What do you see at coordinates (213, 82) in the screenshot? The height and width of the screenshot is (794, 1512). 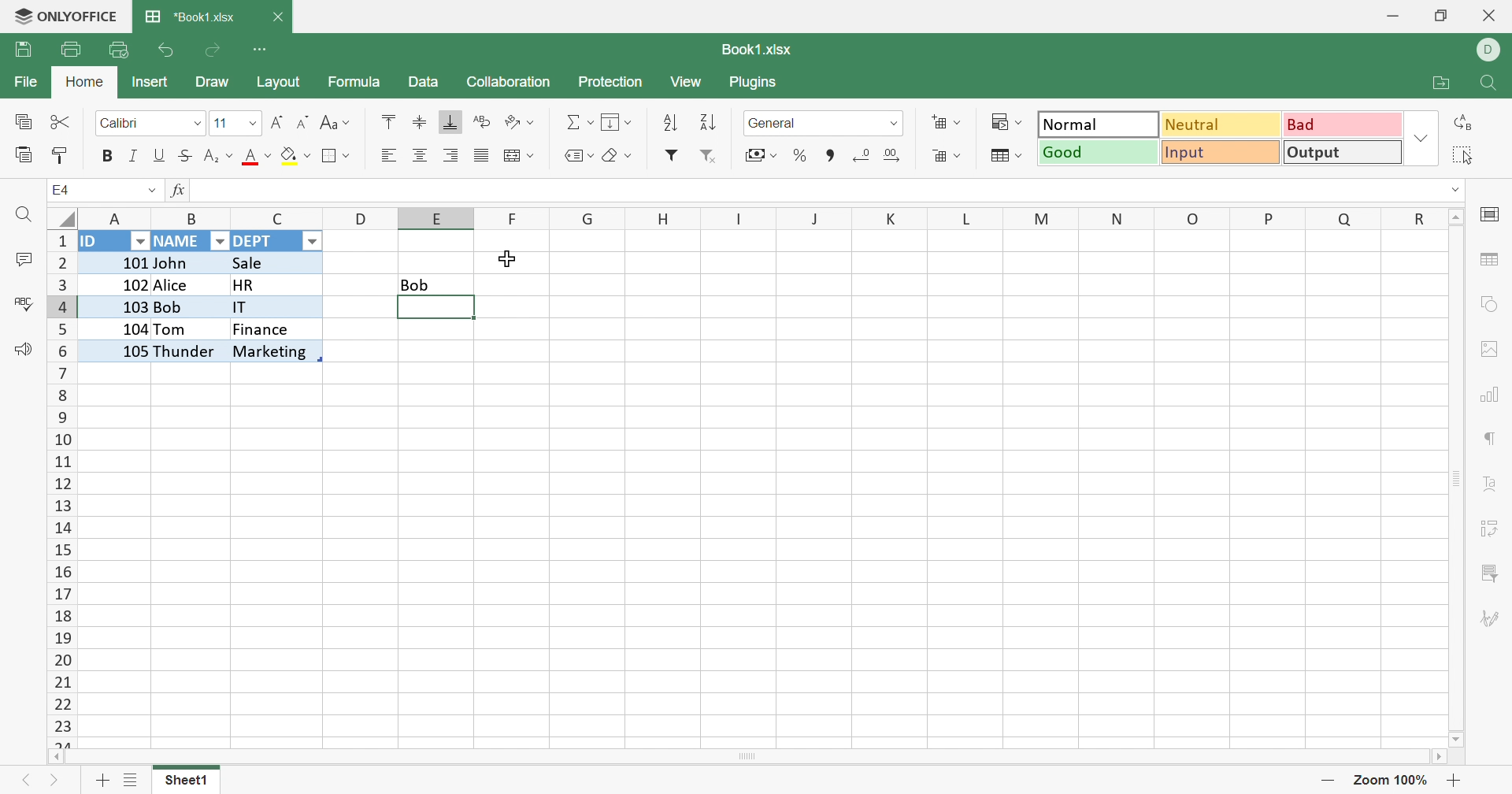 I see `Draw` at bounding box center [213, 82].